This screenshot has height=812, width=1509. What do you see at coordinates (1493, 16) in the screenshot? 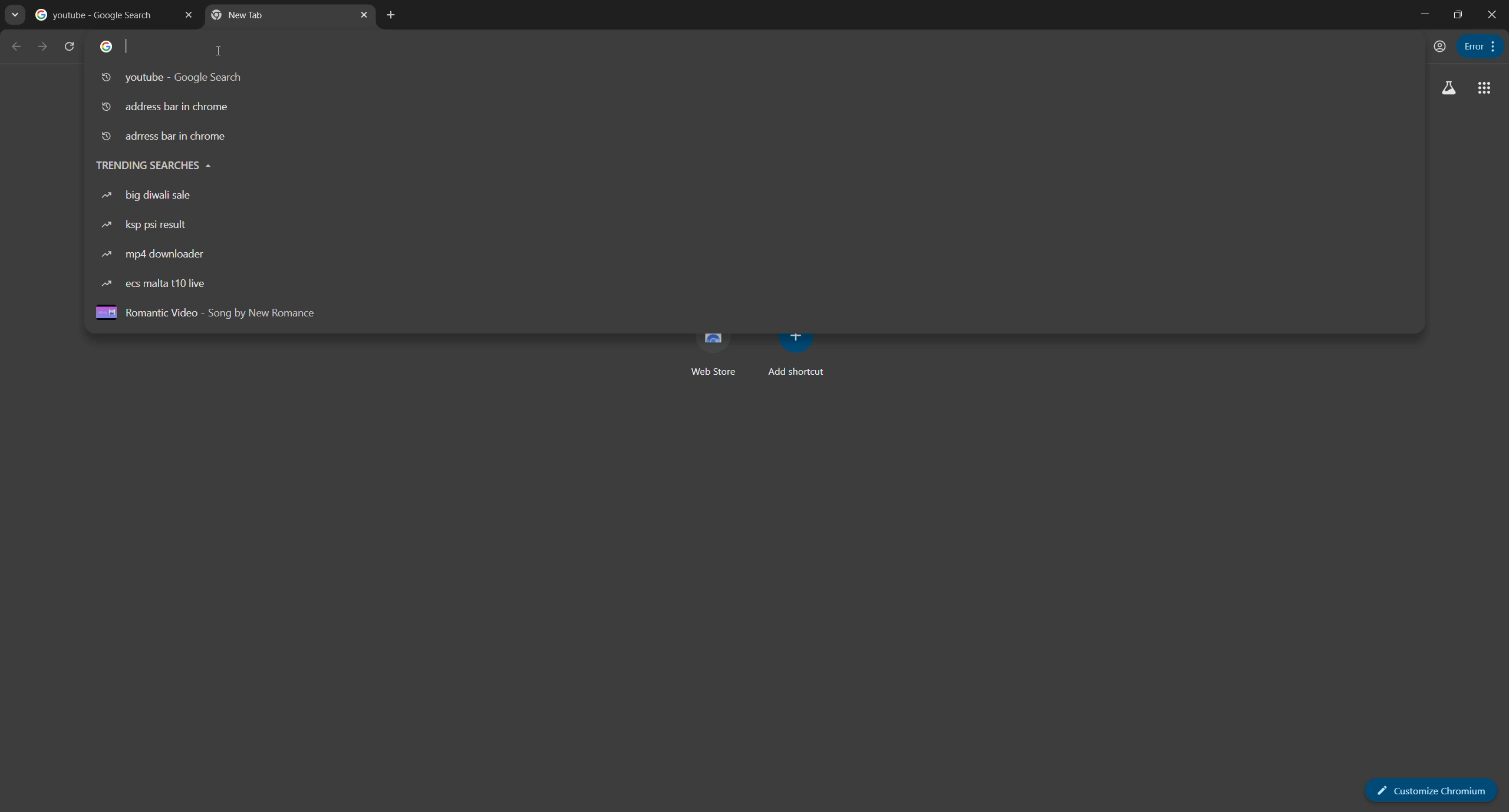
I see `close app` at bounding box center [1493, 16].